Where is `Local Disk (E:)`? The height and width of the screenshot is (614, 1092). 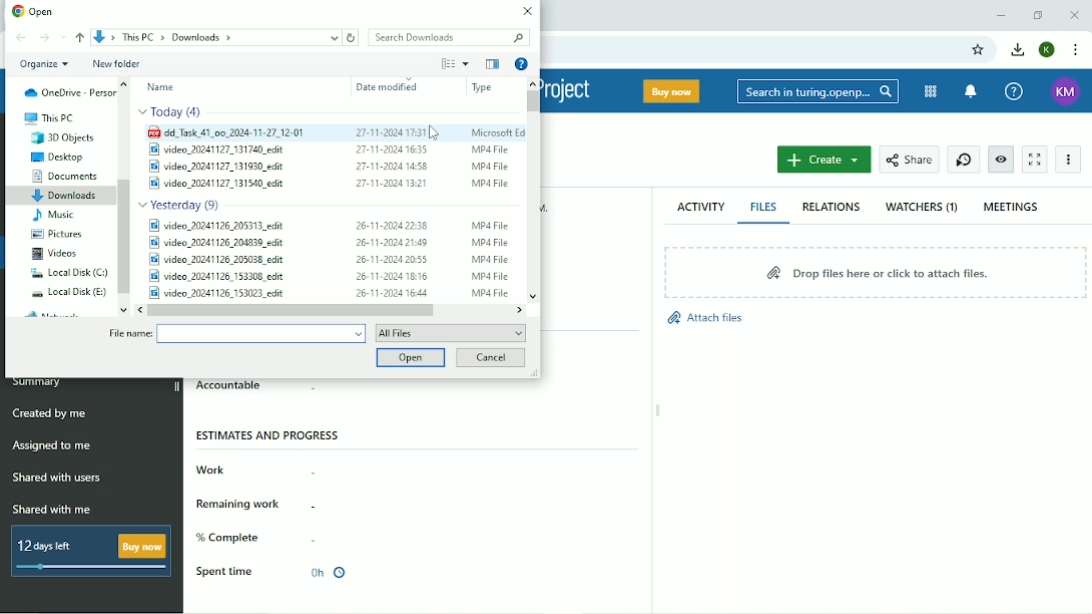
Local Disk (E:) is located at coordinates (70, 292).